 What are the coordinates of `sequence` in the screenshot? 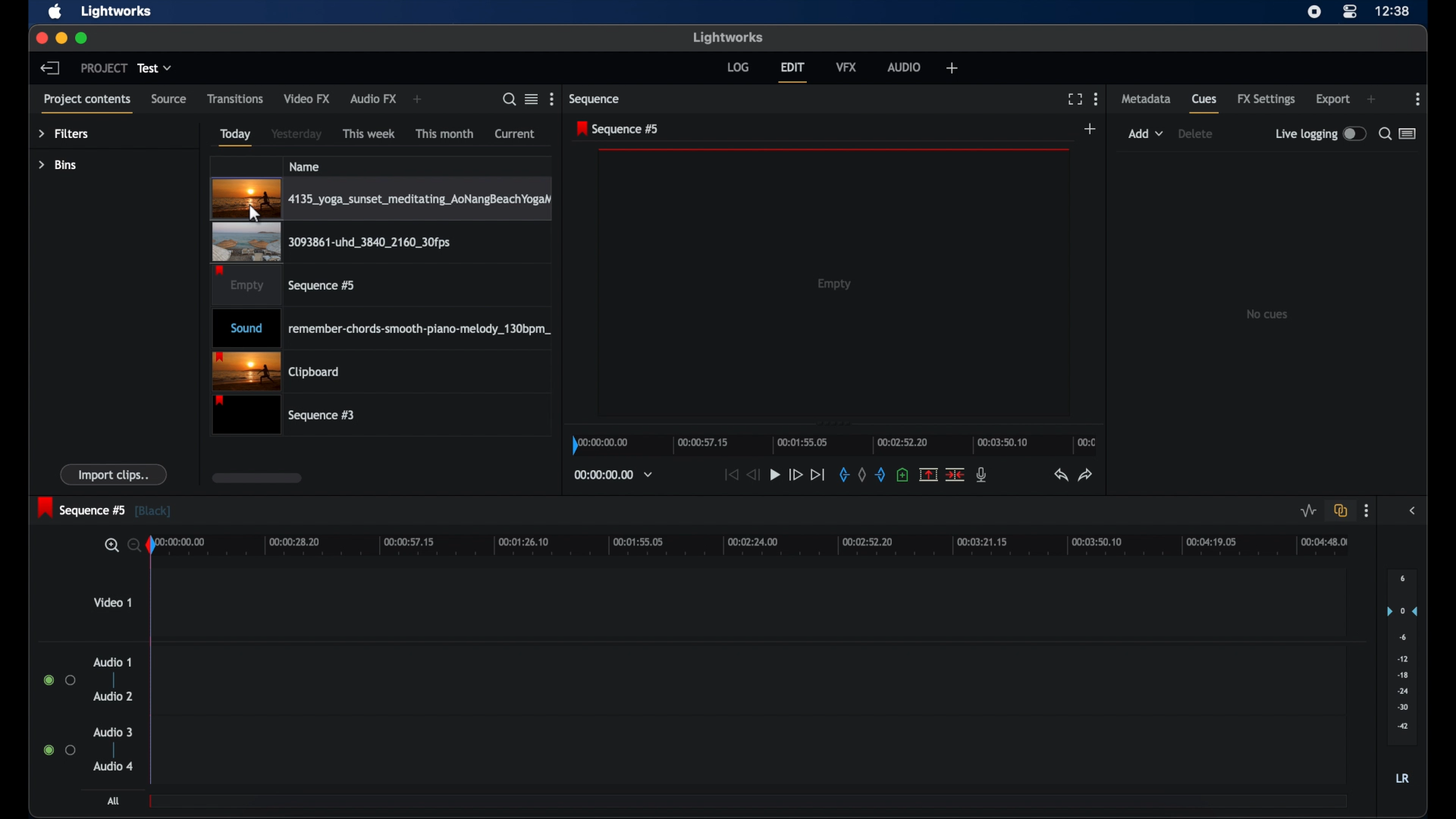 It's located at (597, 99).